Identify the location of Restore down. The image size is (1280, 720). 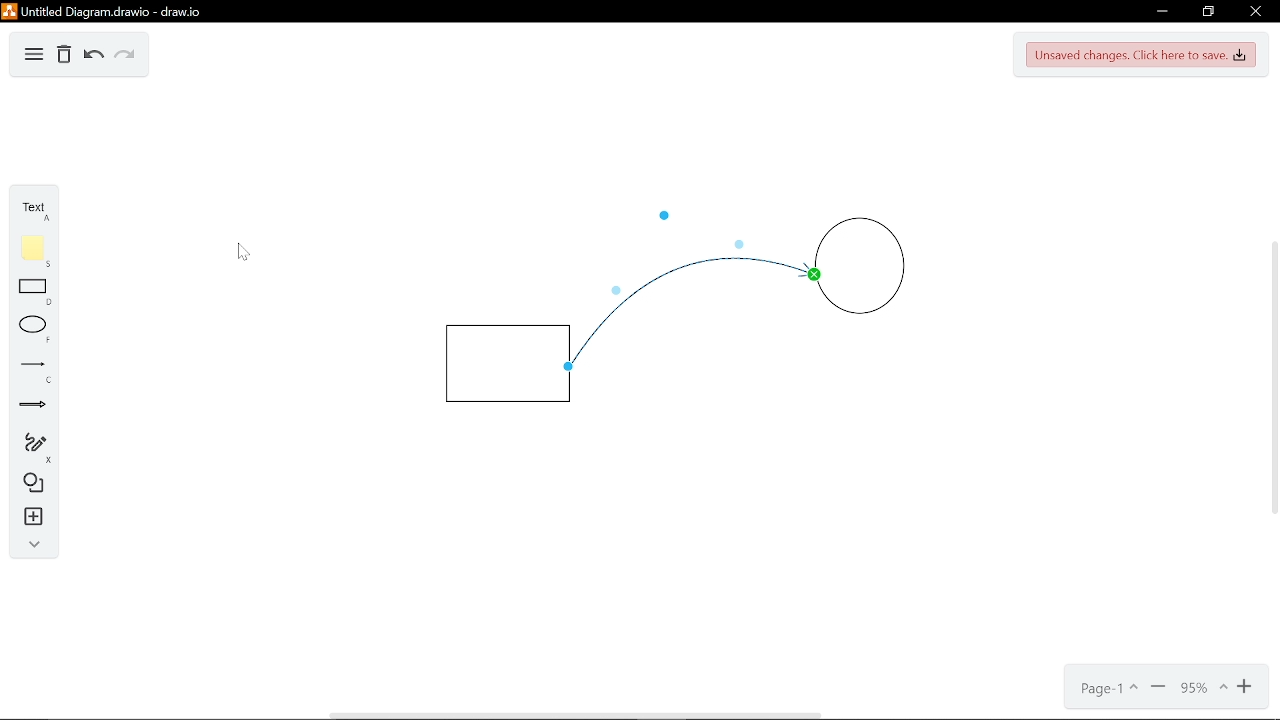
(1210, 12).